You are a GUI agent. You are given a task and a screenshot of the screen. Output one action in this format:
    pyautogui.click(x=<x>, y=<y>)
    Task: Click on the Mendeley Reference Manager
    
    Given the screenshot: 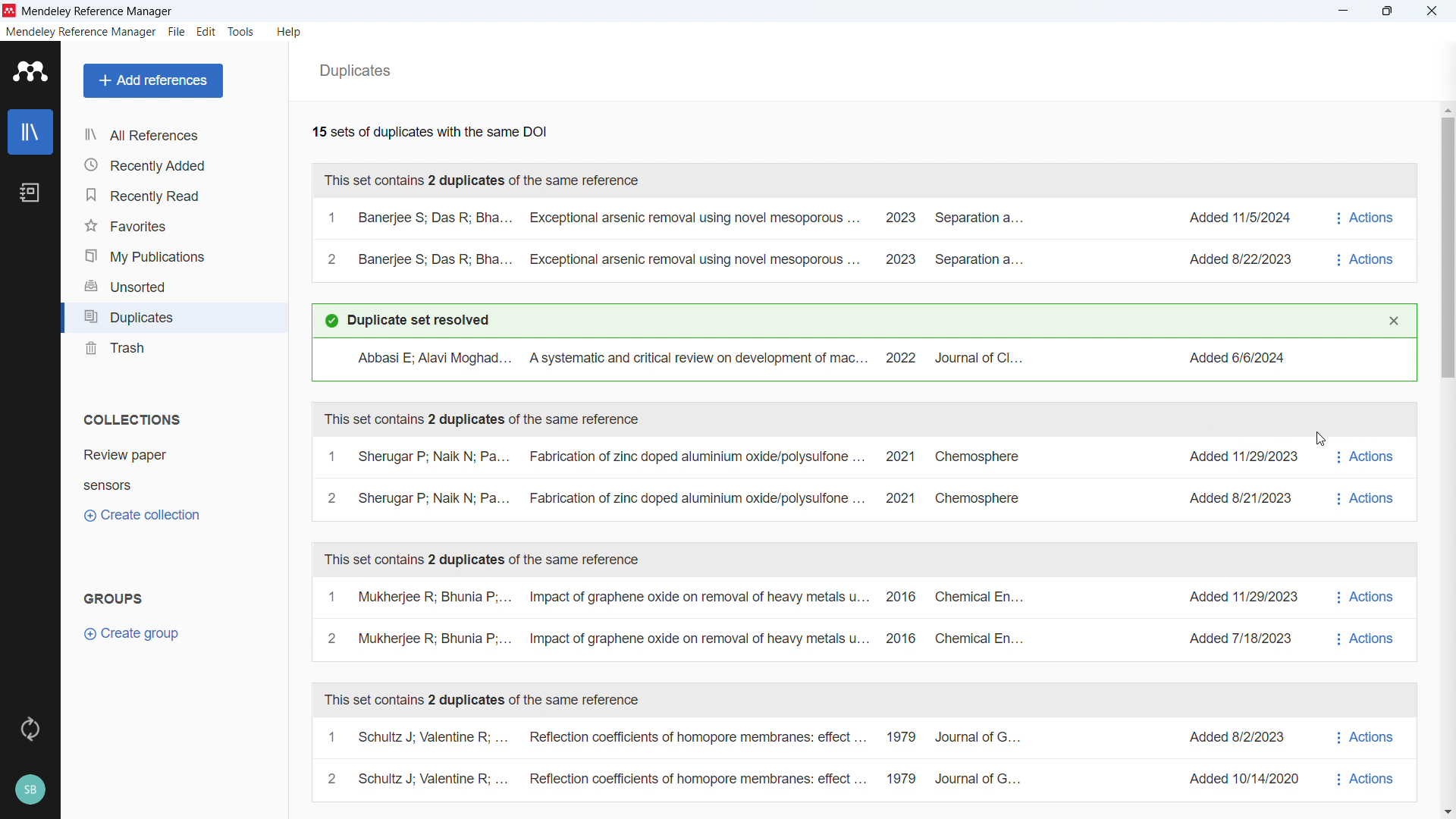 What is the action you would take?
    pyautogui.click(x=98, y=11)
    